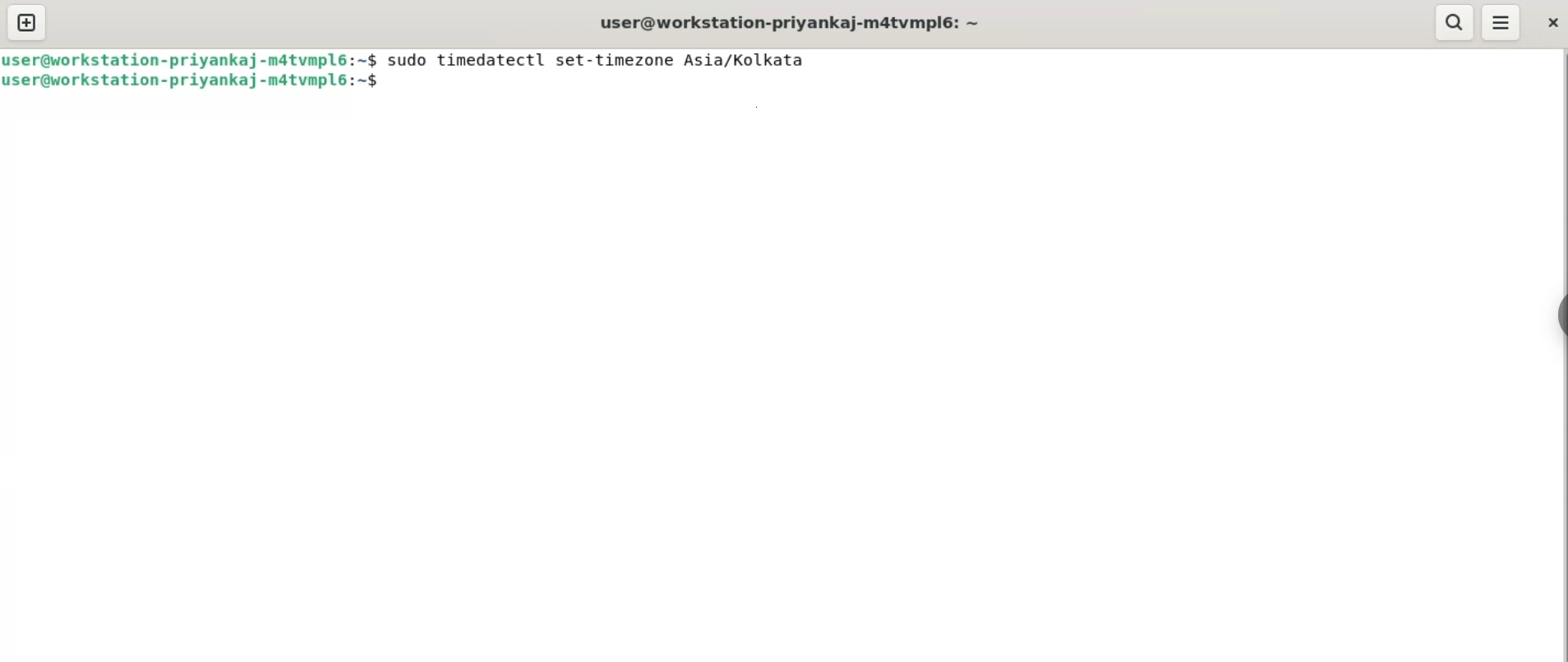 The image size is (1568, 662). Describe the element at coordinates (1454, 23) in the screenshot. I see `search` at that location.